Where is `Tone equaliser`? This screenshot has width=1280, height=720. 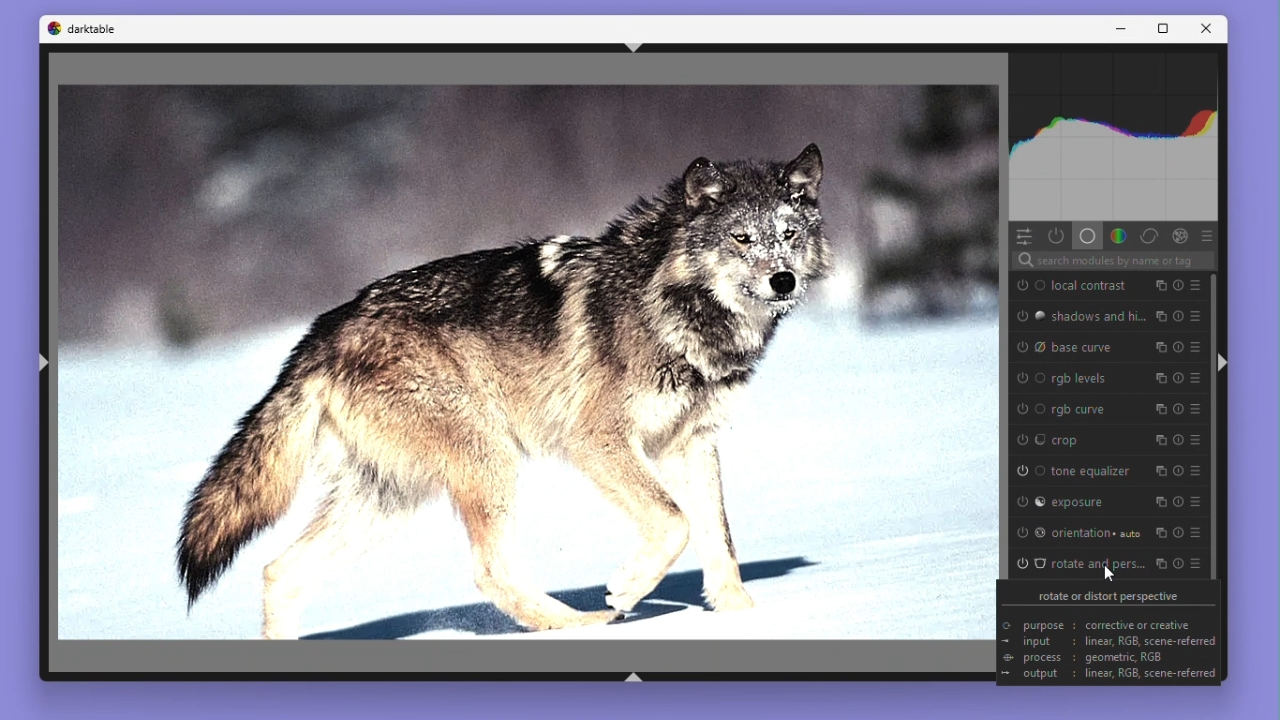 Tone equaliser is located at coordinates (1110, 468).